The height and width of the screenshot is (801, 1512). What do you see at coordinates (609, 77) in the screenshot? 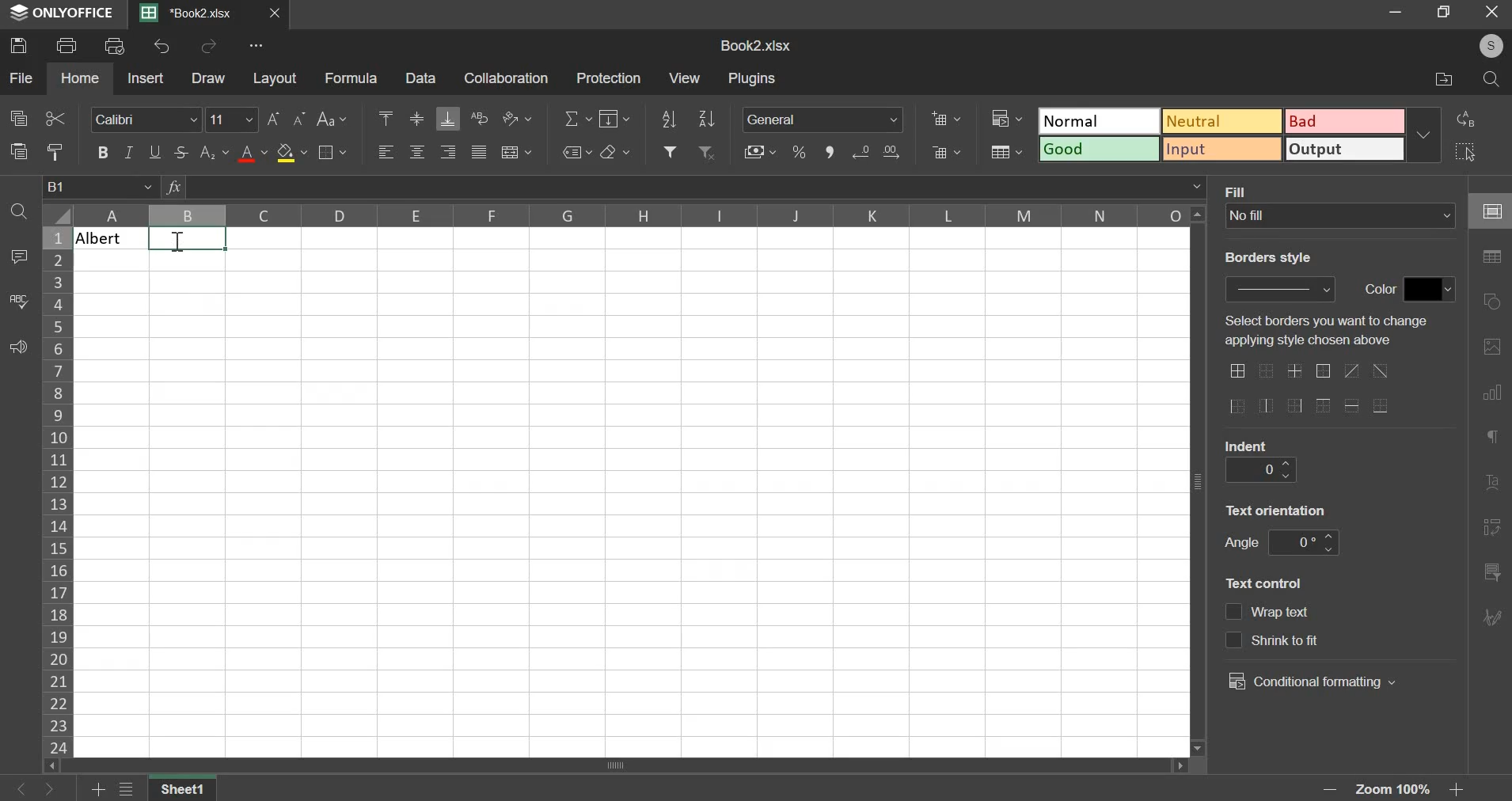
I see `protection` at bounding box center [609, 77].